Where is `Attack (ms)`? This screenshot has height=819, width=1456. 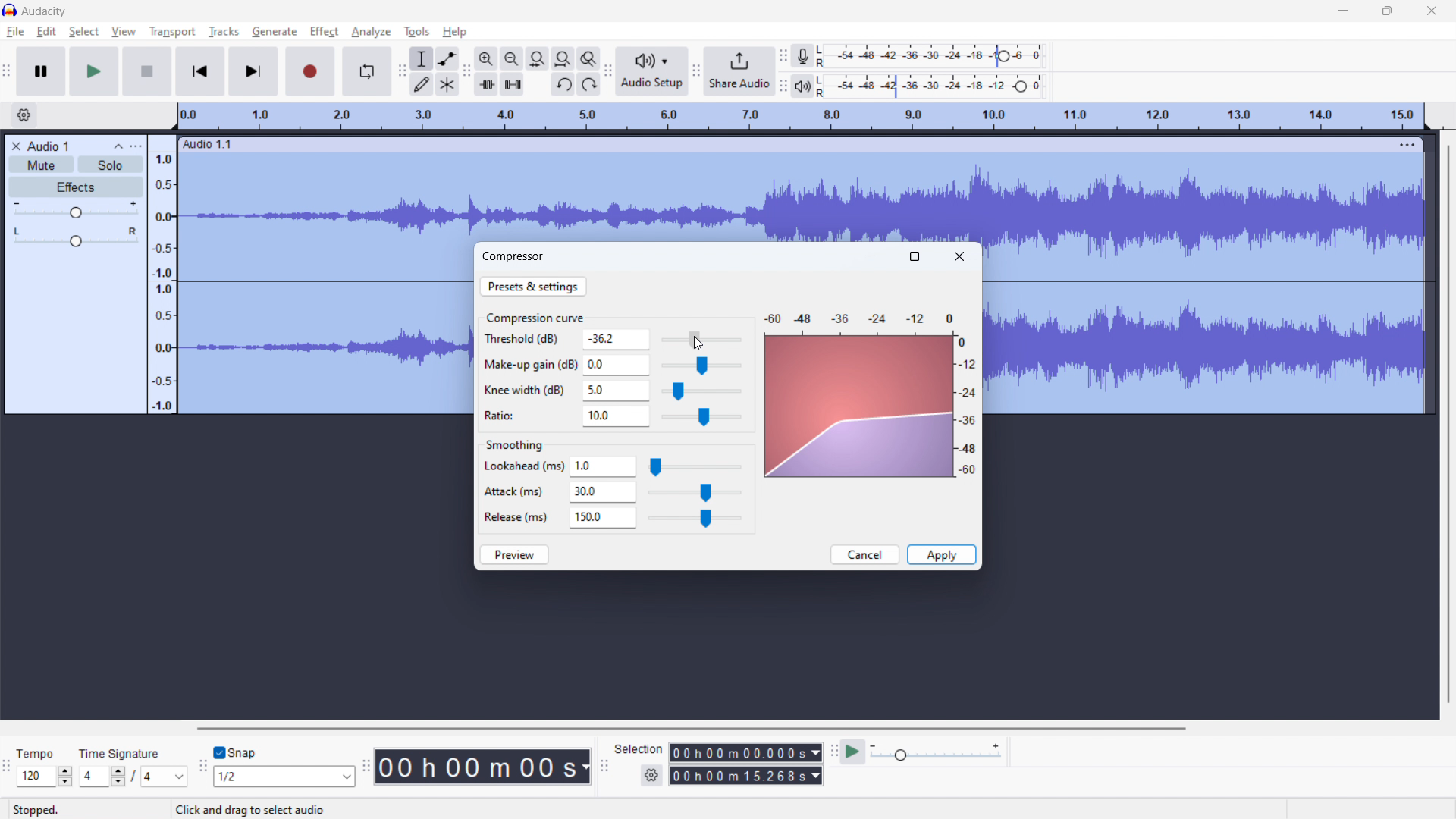
Attack (ms) is located at coordinates (517, 488).